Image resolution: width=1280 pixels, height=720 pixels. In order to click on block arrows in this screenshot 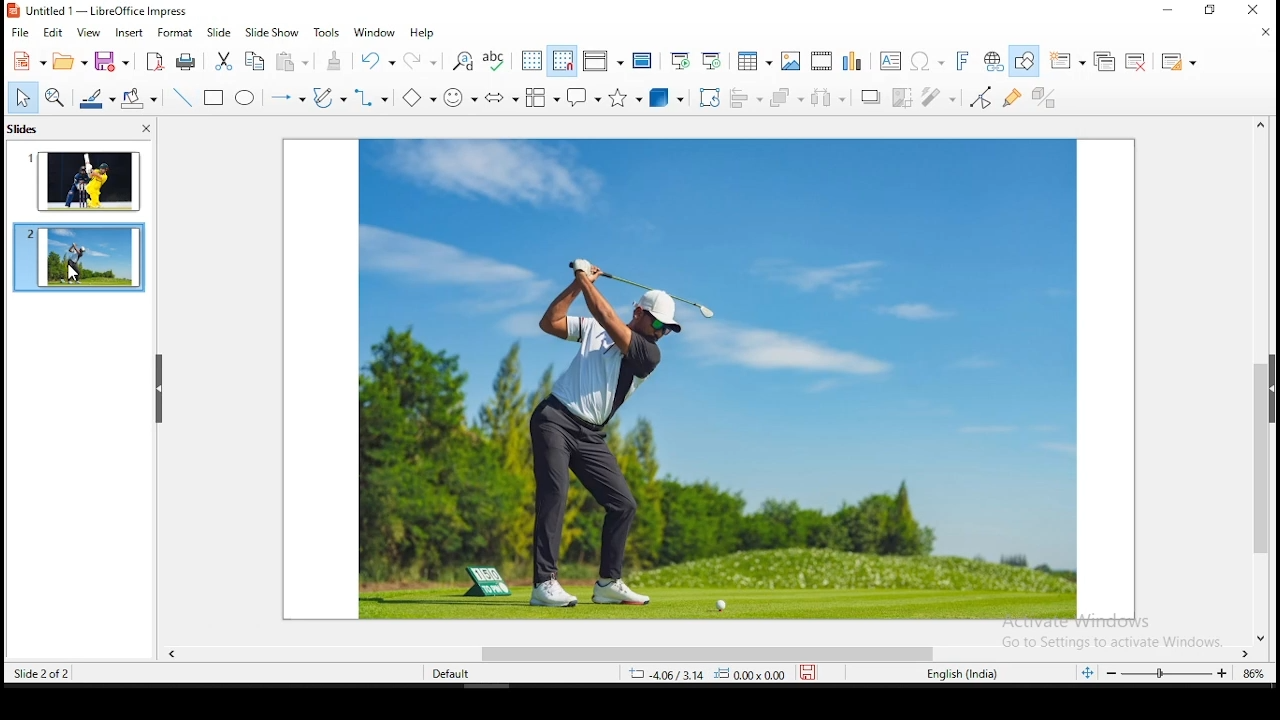, I will do `click(500, 96)`.